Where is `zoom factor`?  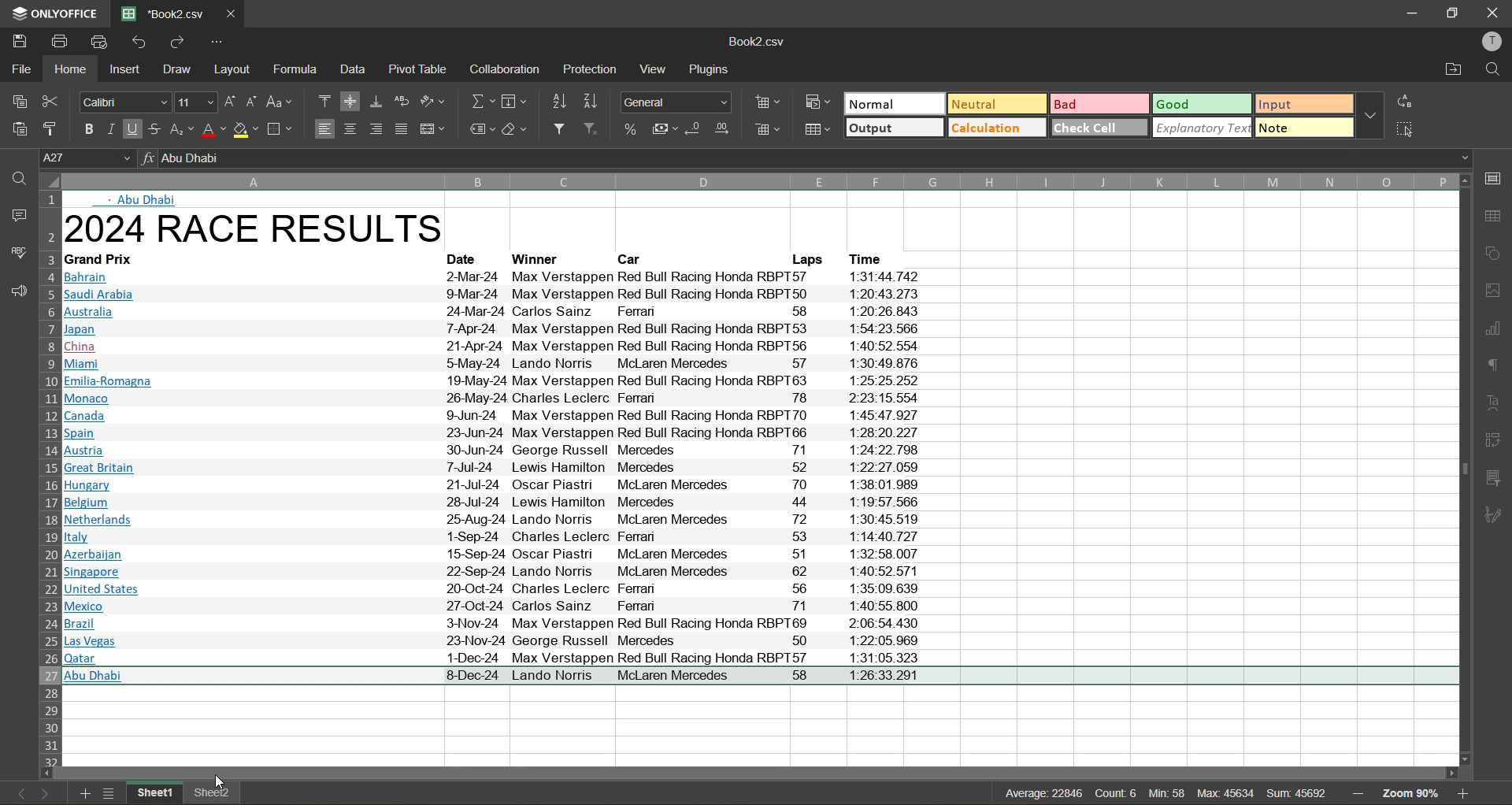 zoom factor is located at coordinates (1416, 793).